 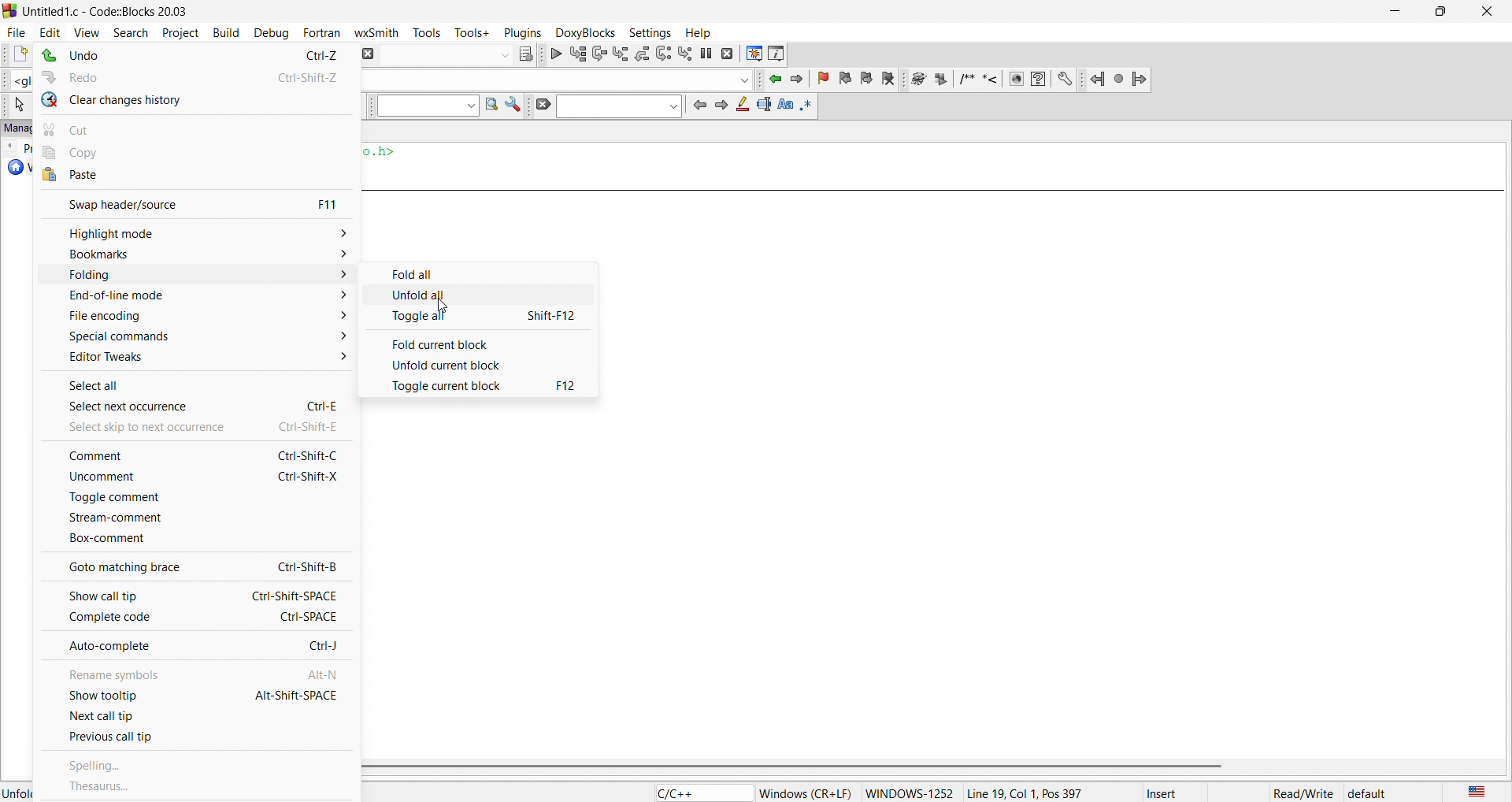 What do you see at coordinates (1024, 793) in the screenshot?
I see `Line 19, col 1, Pos 397` at bounding box center [1024, 793].